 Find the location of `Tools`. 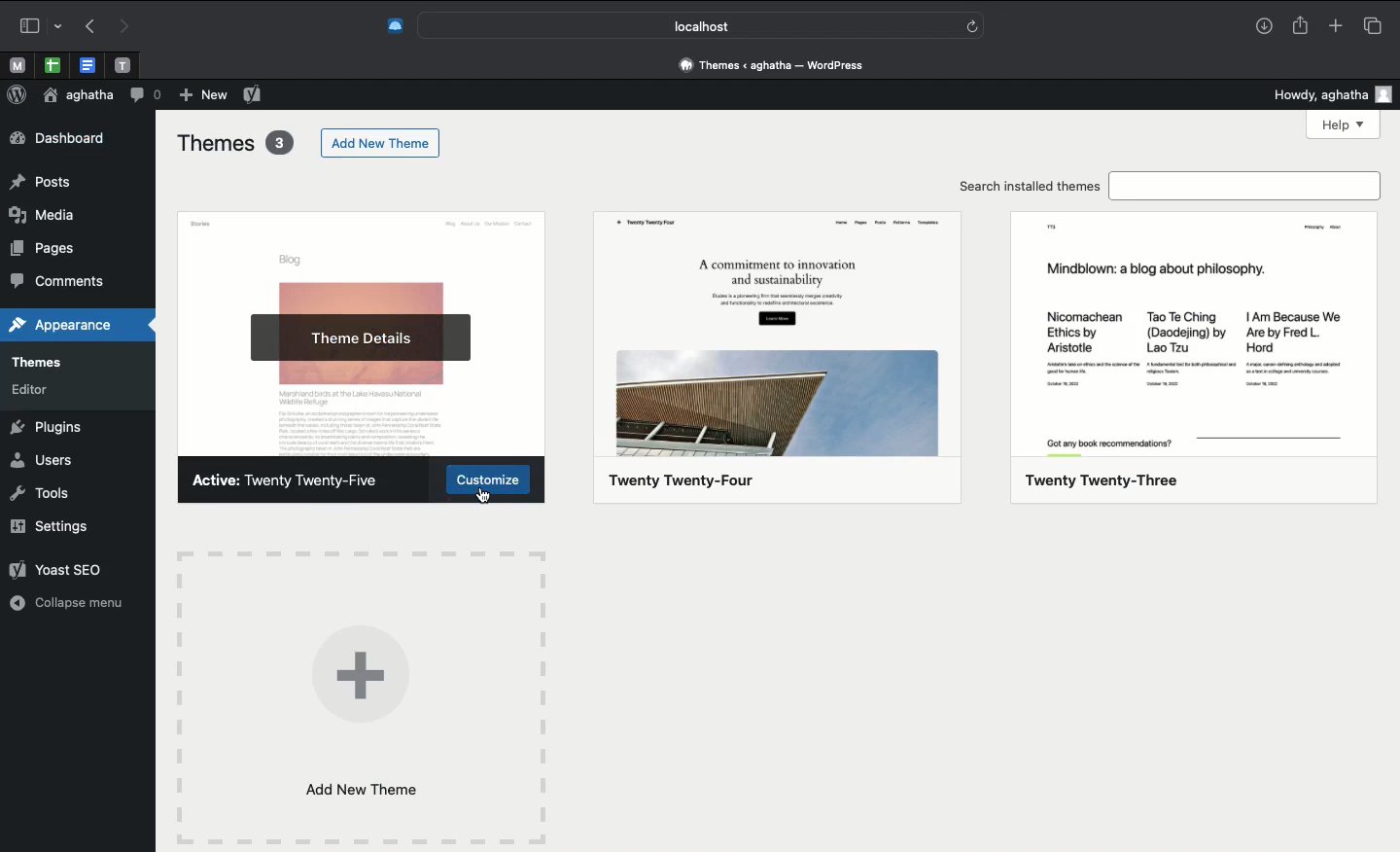

Tools is located at coordinates (40, 494).